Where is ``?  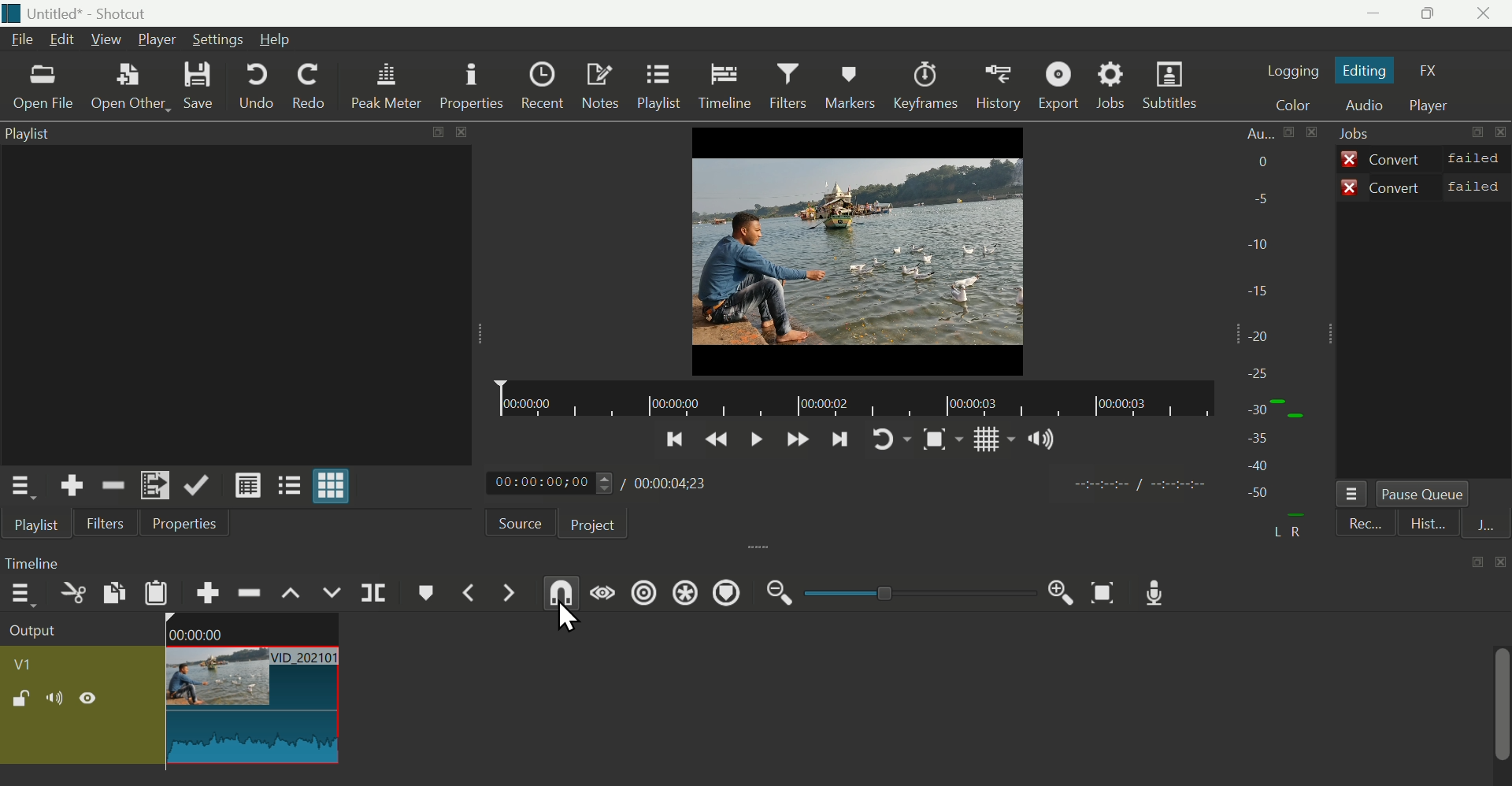  is located at coordinates (780, 591).